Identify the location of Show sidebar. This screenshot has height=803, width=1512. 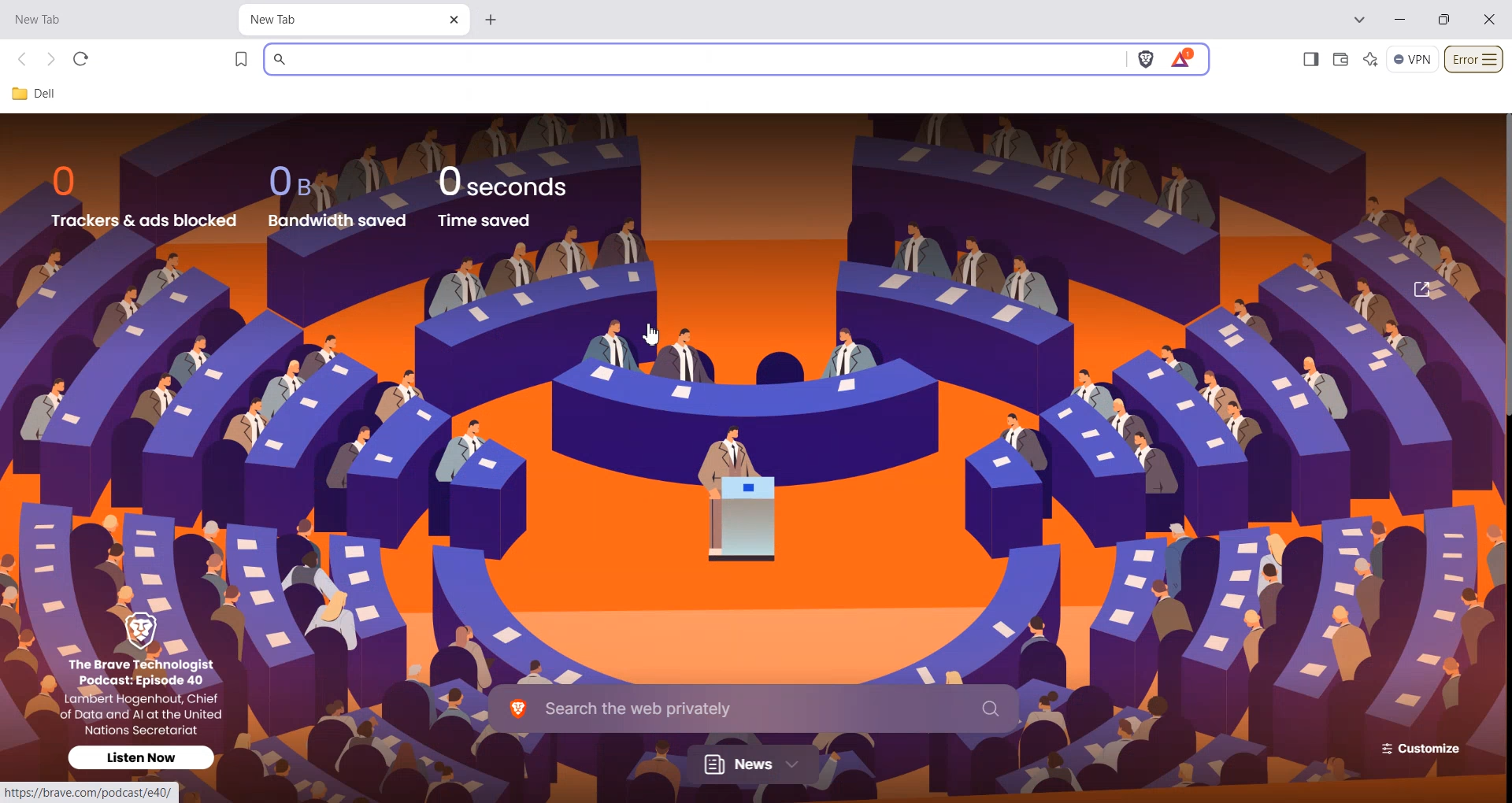
(1310, 59).